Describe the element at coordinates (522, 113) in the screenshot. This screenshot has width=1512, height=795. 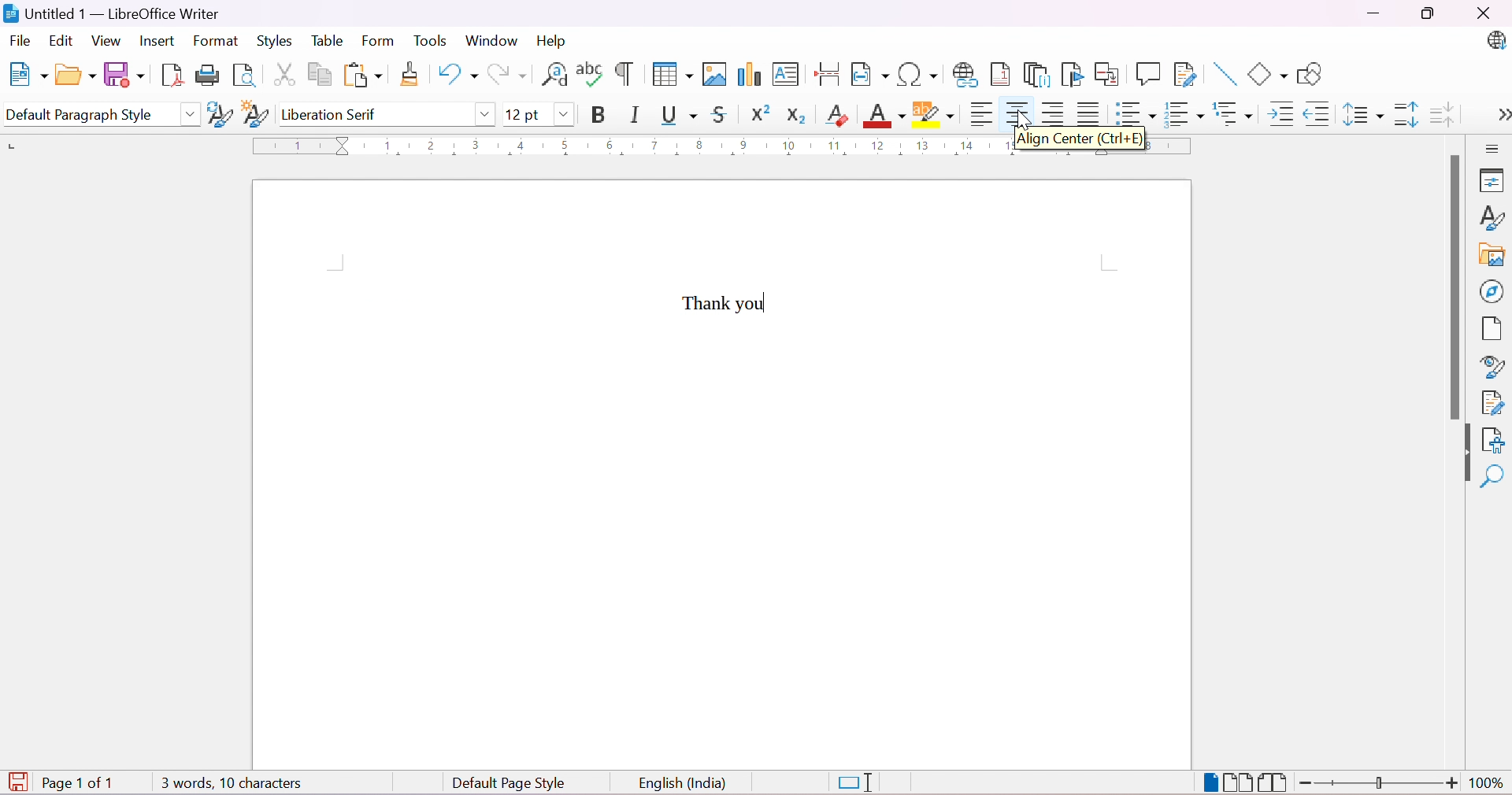
I see `12 pt` at that location.